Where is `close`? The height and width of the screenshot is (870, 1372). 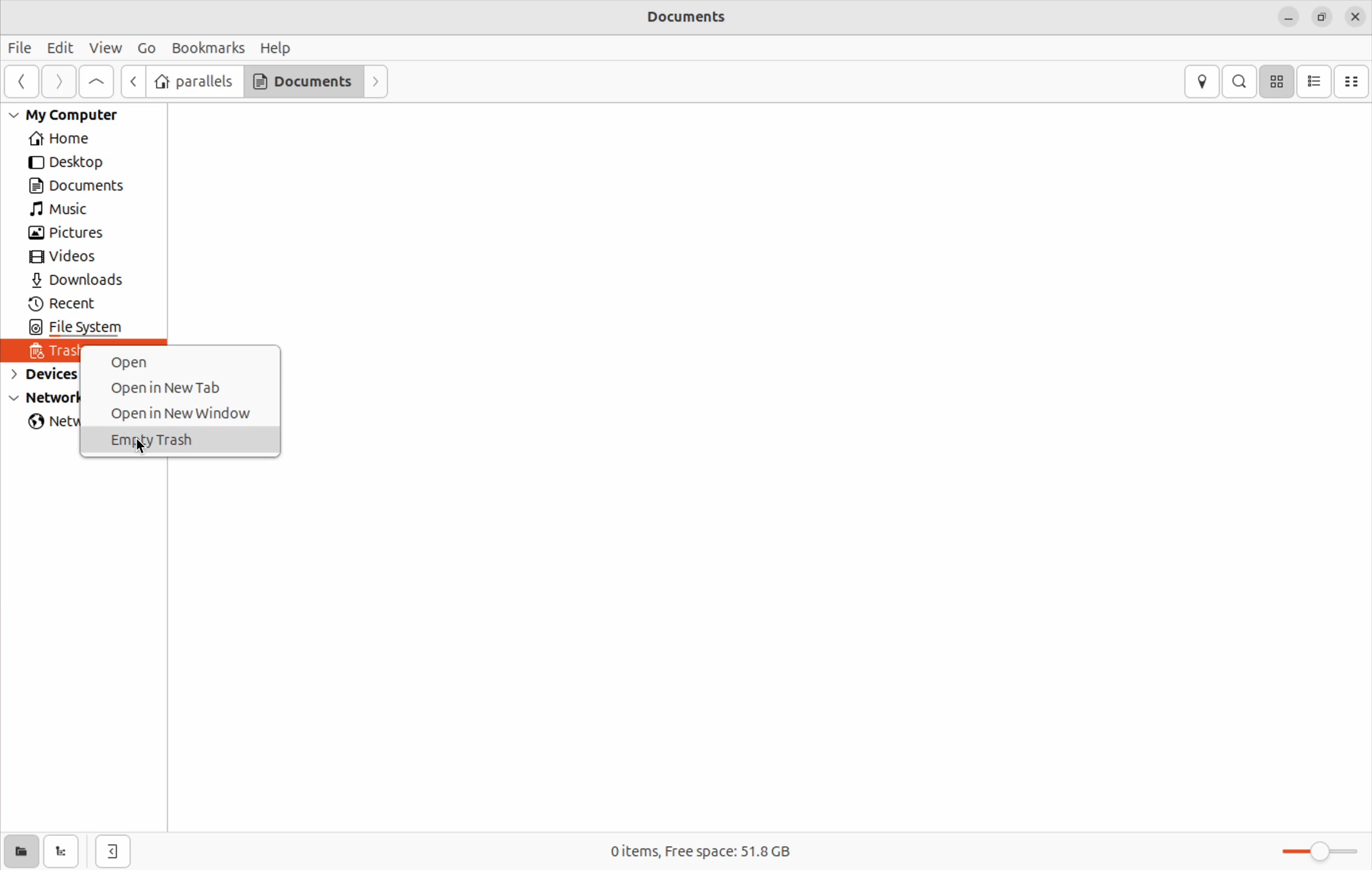
close is located at coordinates (1354, 18).